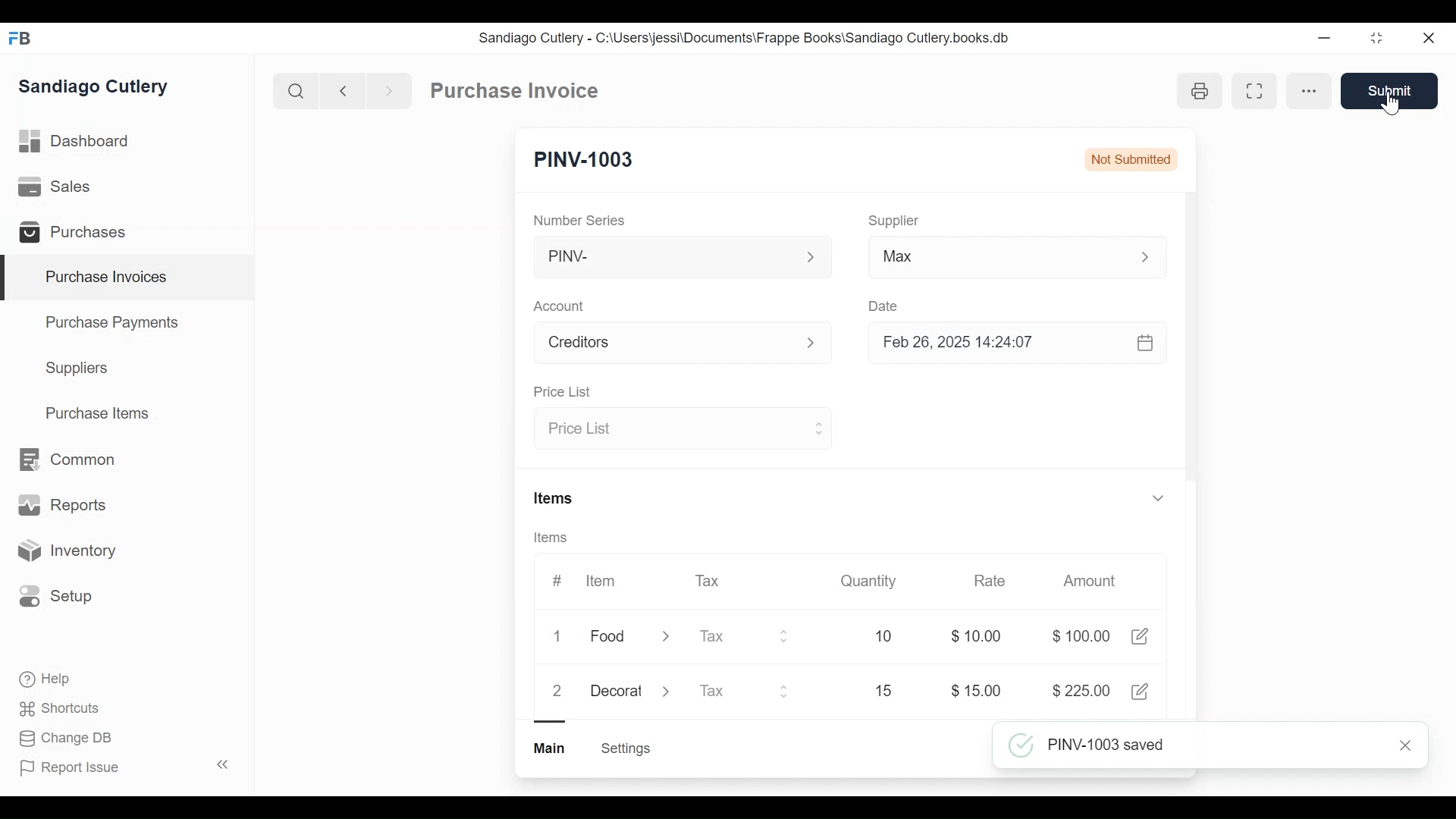 This screenshot has height=819, width=1456. What do you see at coordinates (664, 345) in the screenshot?
I see `Account` at bounding box center [664, 345].